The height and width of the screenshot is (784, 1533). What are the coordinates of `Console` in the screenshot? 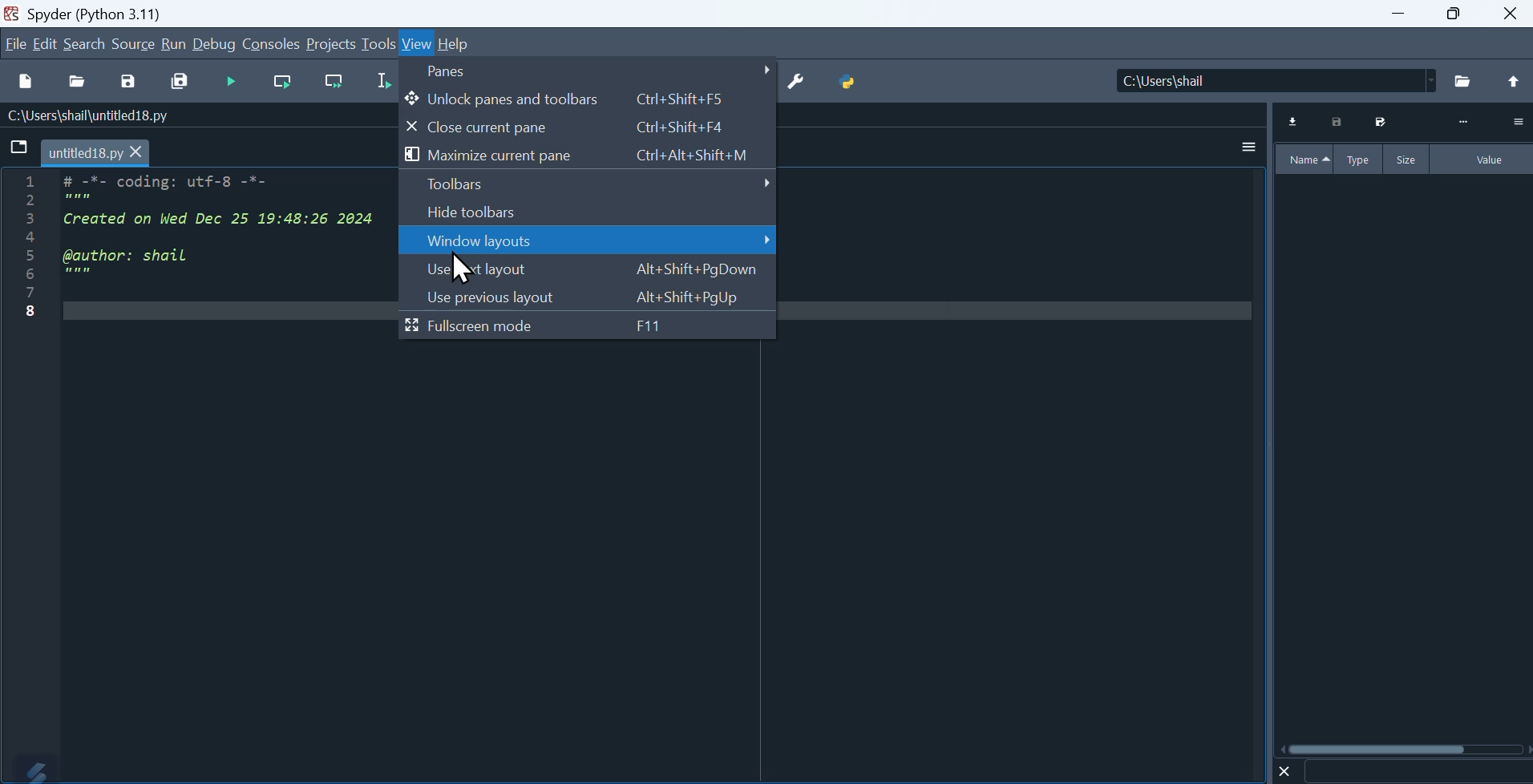 It's located at (271, 43).